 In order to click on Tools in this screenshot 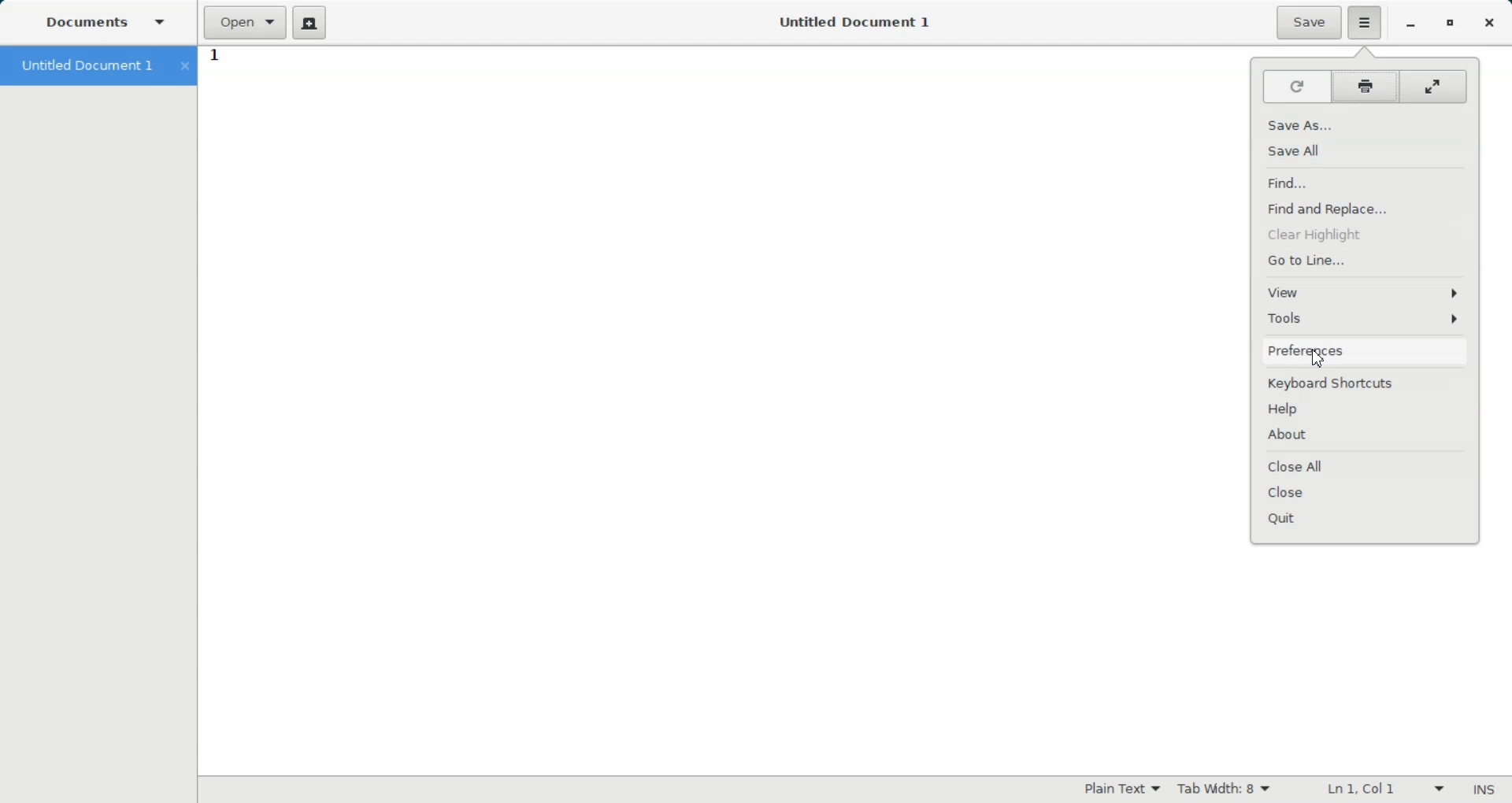, I will do `click(1366, 318)`.